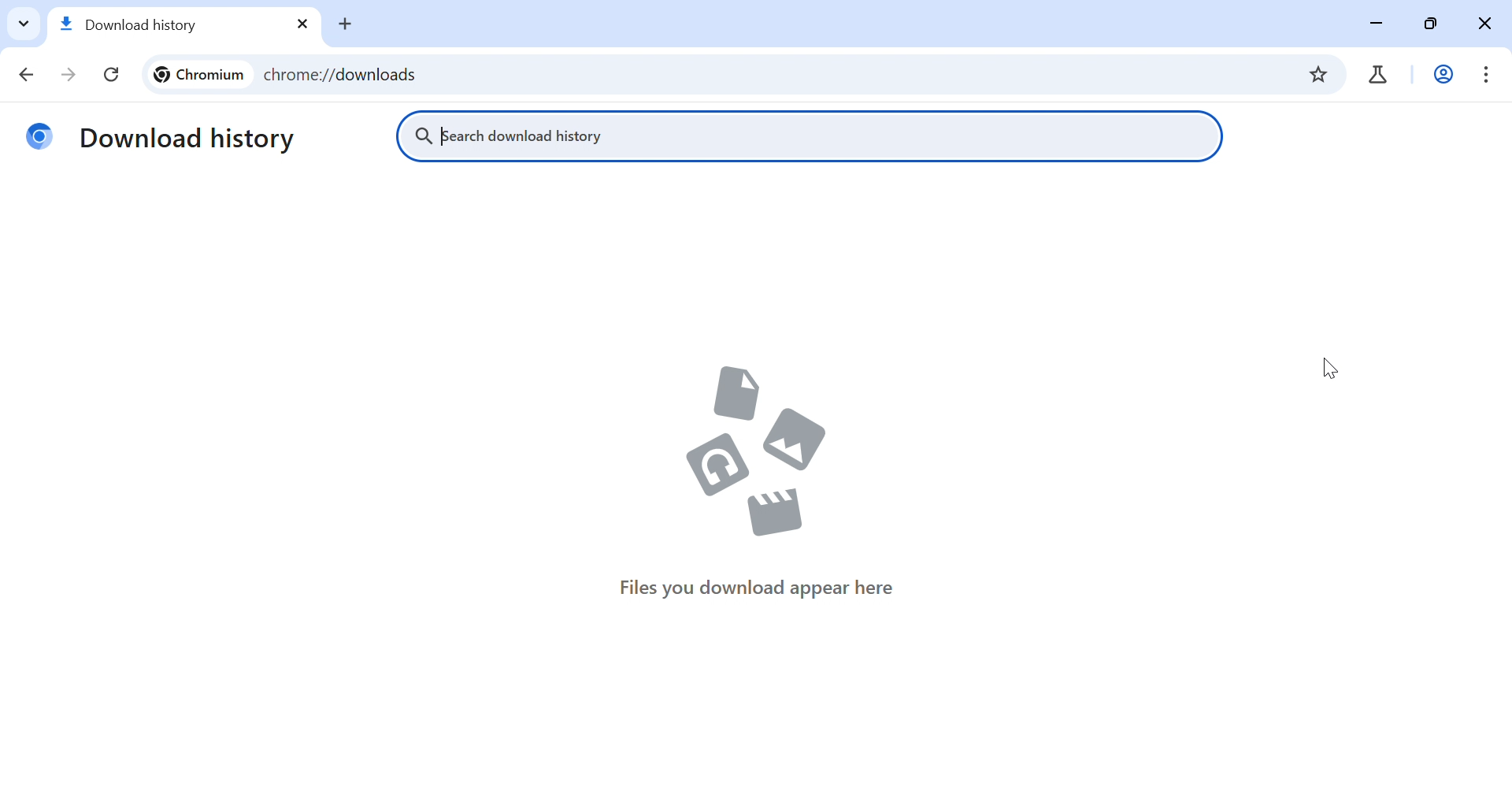 The width and height of the screenshot is (1512, 794). What do you see at coordinates (1333, 367) in the screenshot?
I see `Cursor` at bounding box center [1333, 367].